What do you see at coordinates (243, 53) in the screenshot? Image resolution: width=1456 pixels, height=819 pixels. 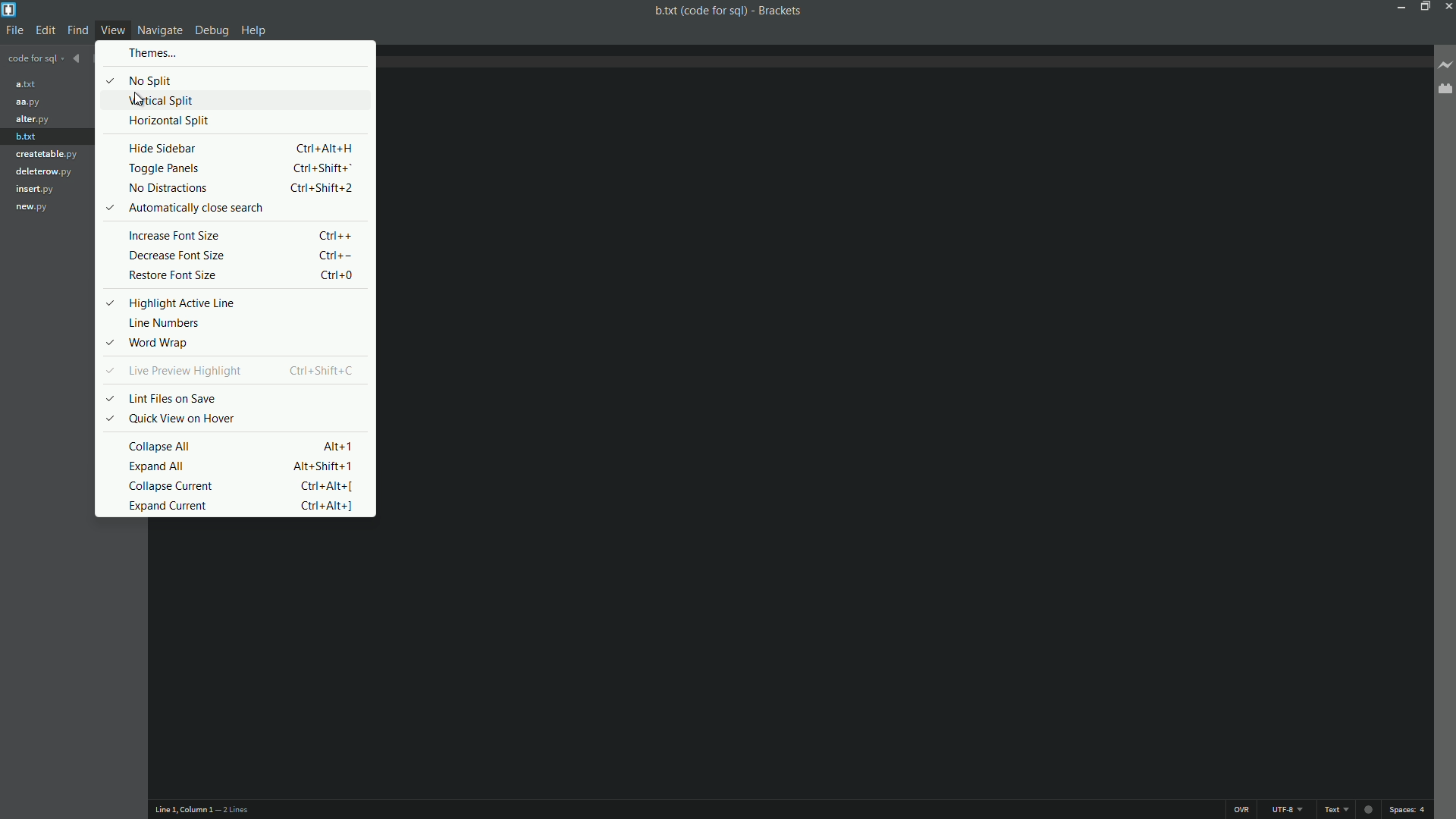 I see `themes` at bounding box center [243, 53].